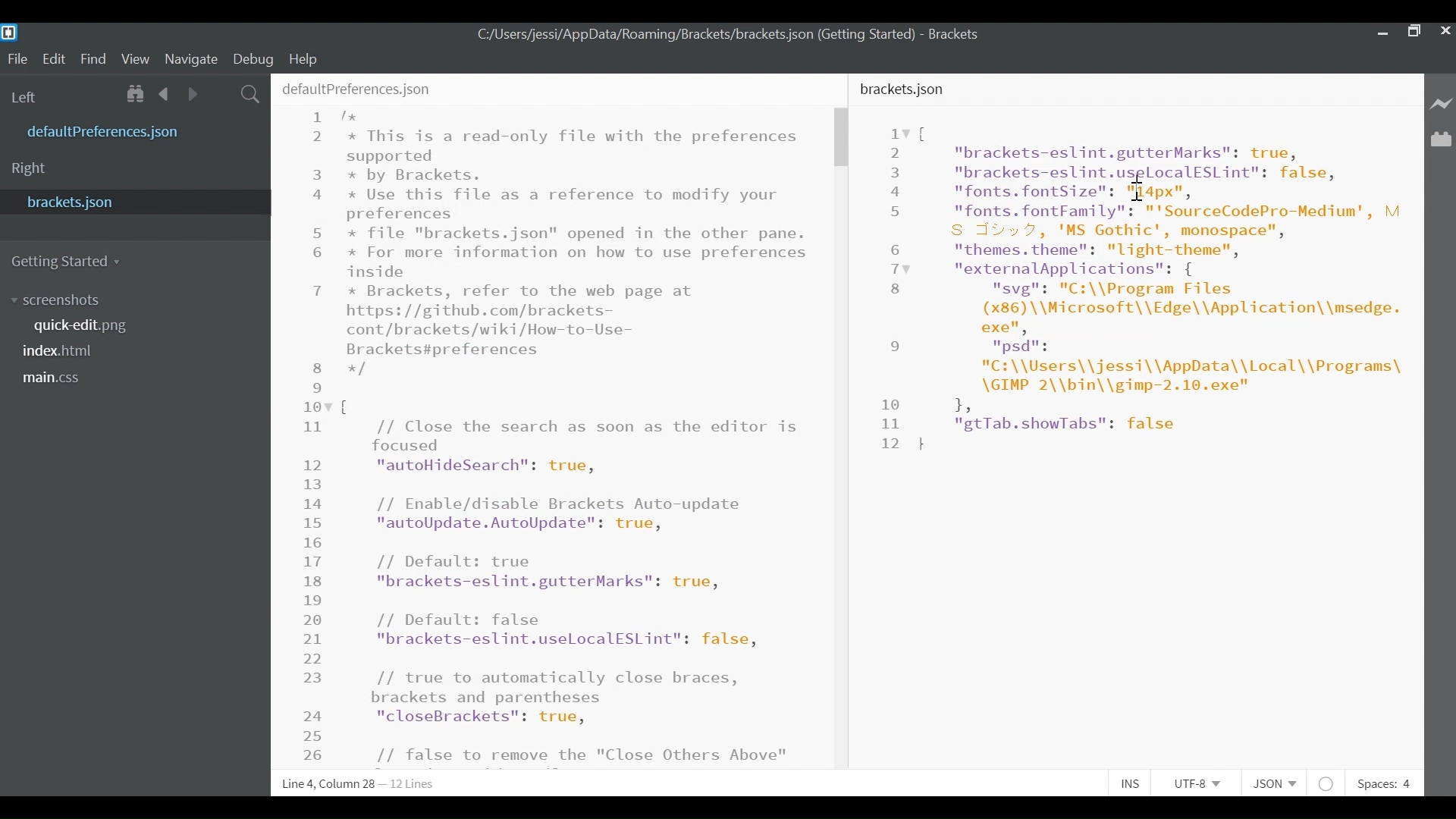 The image size is (1456, 819). I want to click on Navigate Forward, so click(194, 93).